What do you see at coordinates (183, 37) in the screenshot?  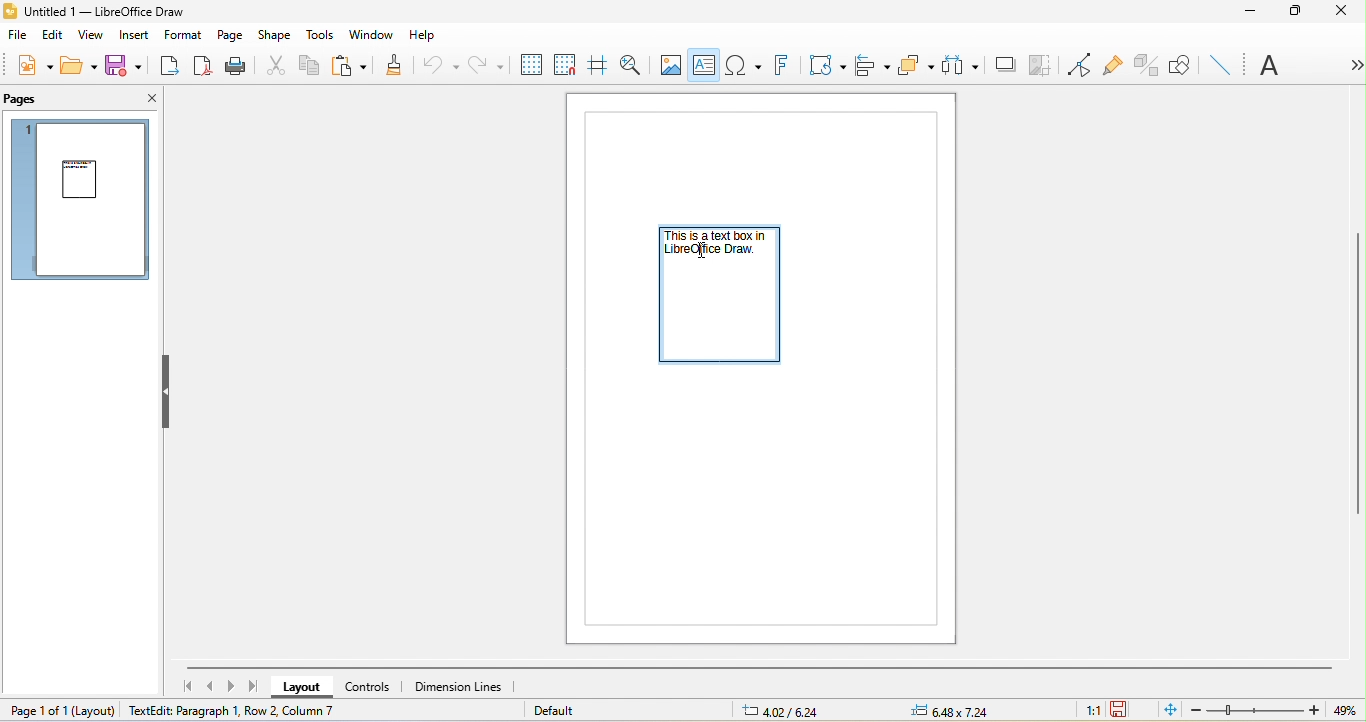 I see `format` at bounding box center [183, 37].